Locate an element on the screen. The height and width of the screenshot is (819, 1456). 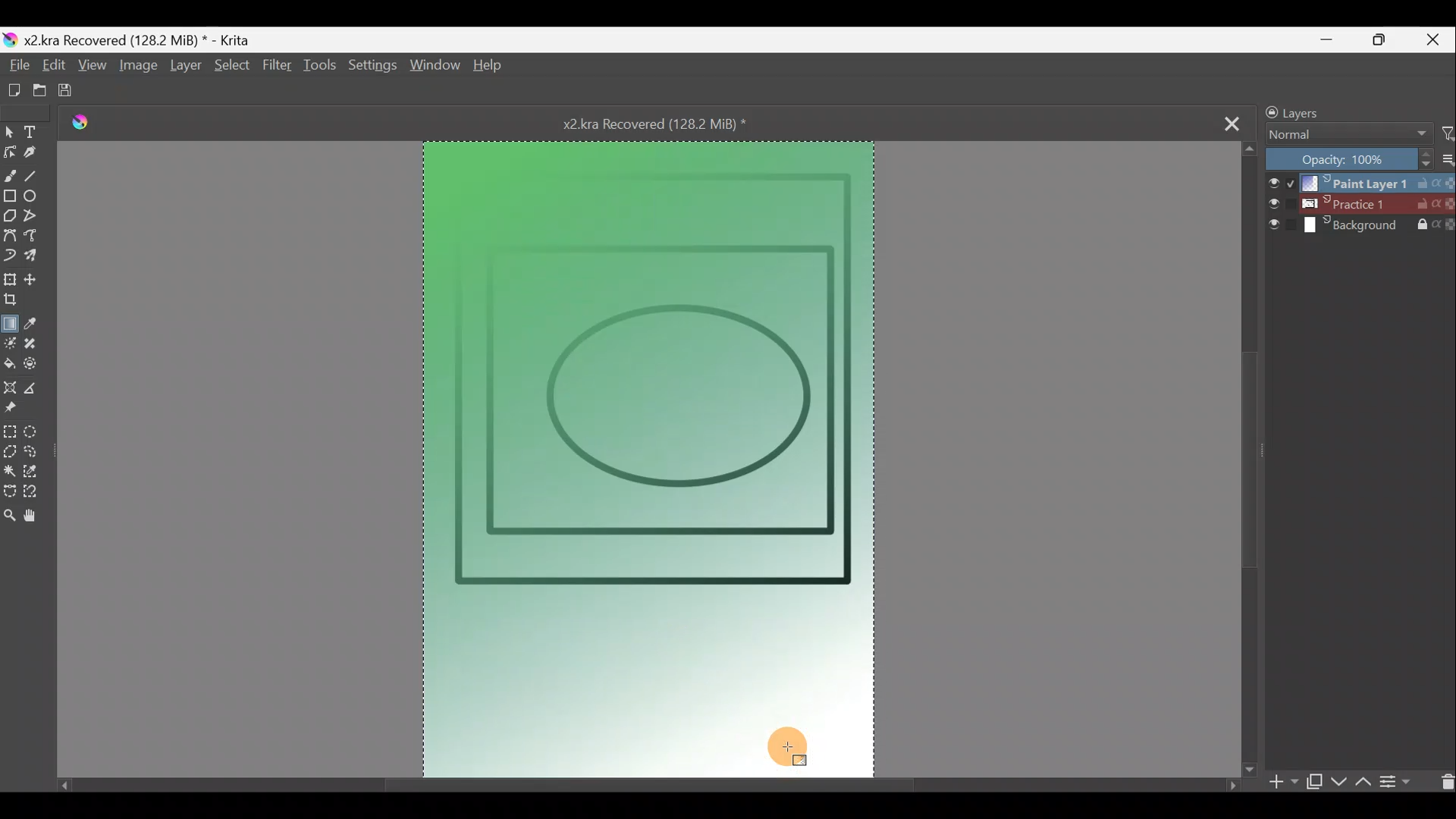
Similar colour selection tool is located at coordinates (34, 475).